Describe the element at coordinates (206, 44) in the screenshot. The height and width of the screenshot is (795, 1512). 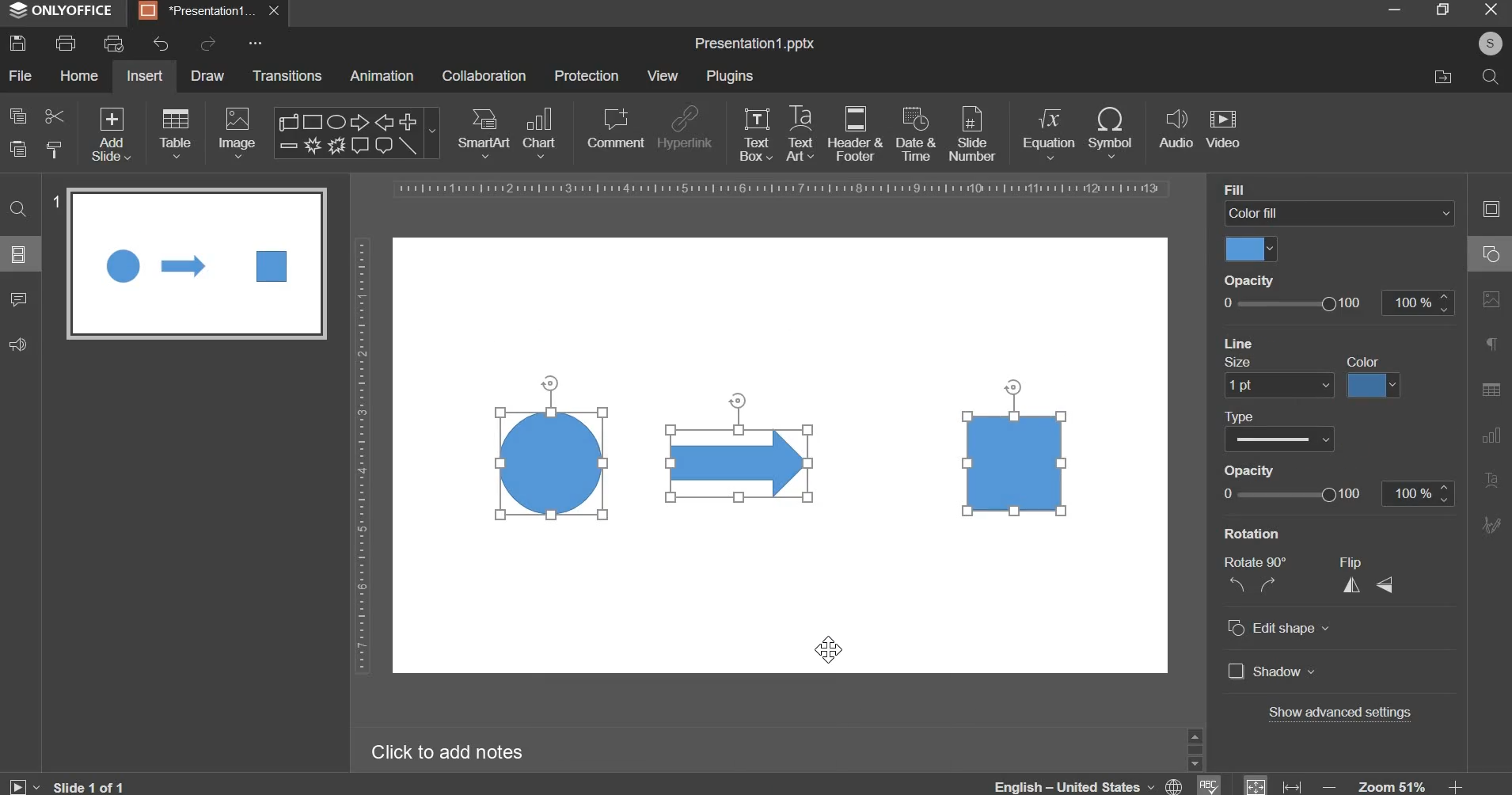
I see `redo` at that location.